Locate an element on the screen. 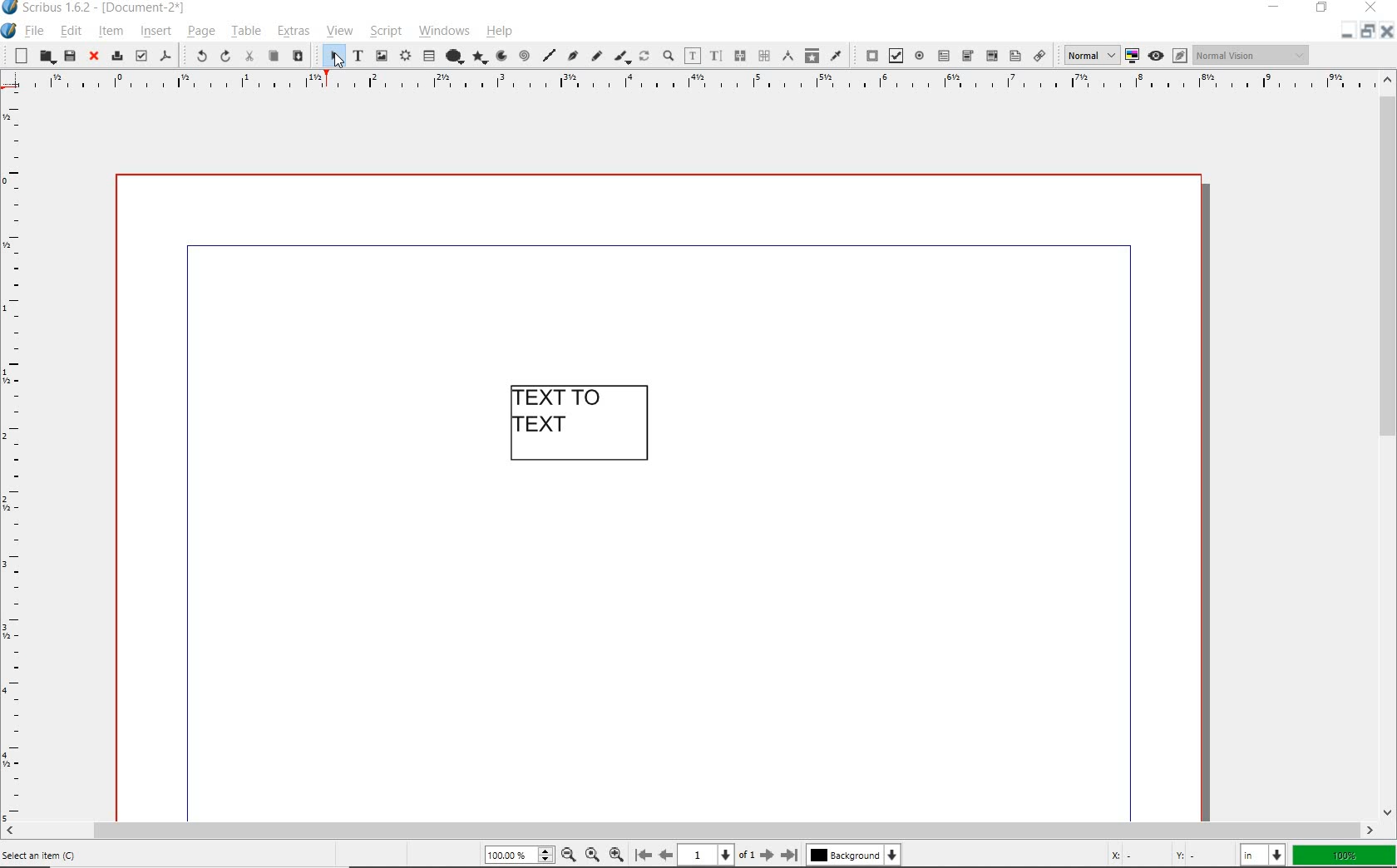  render frame is located at coordinates (405, 57).